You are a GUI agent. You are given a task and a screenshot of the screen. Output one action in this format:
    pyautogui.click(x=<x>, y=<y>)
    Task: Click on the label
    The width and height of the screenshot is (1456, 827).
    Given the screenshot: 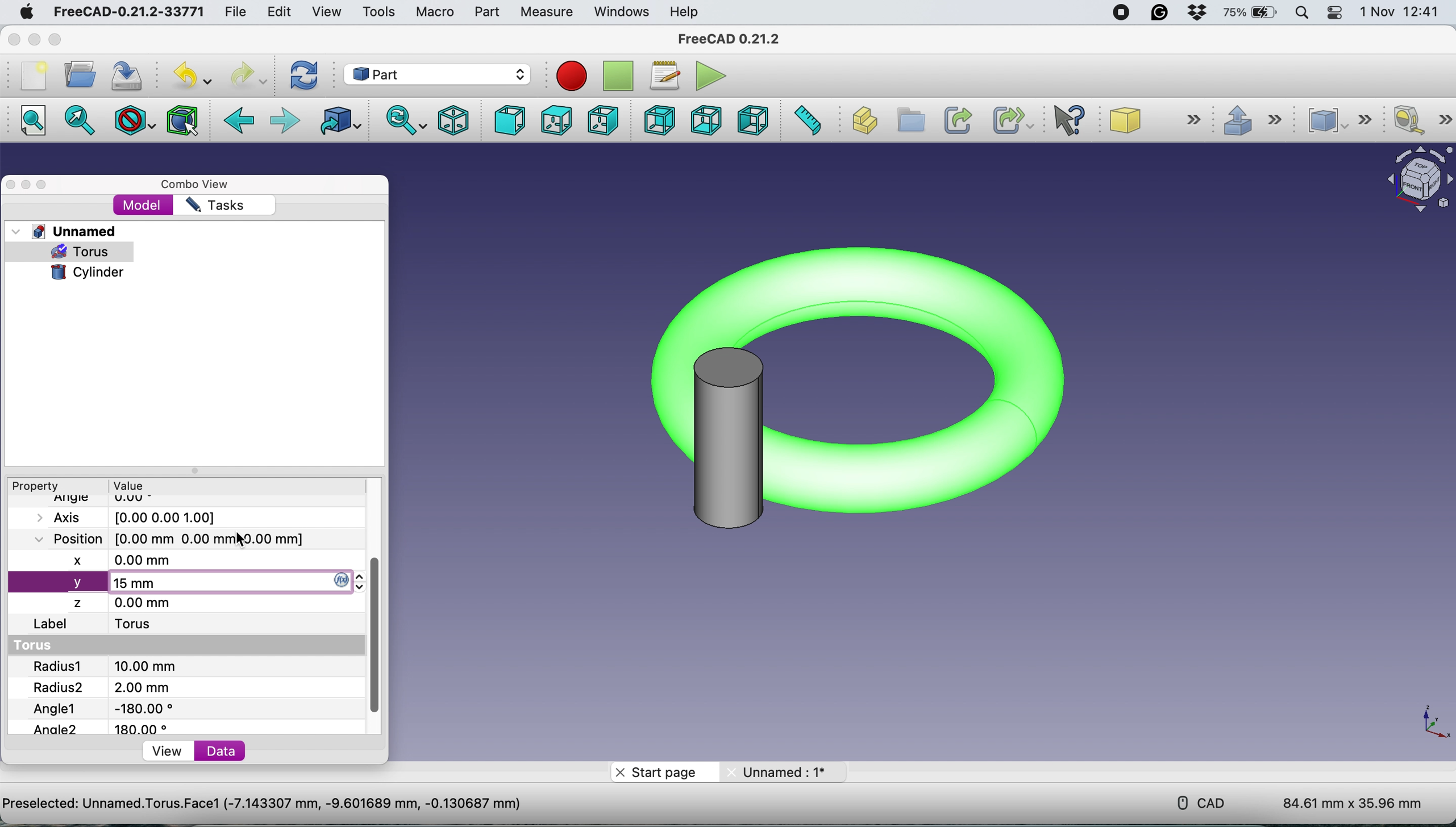 What is the action you would take?
    pyautogui.click(x=52, y=625)
    